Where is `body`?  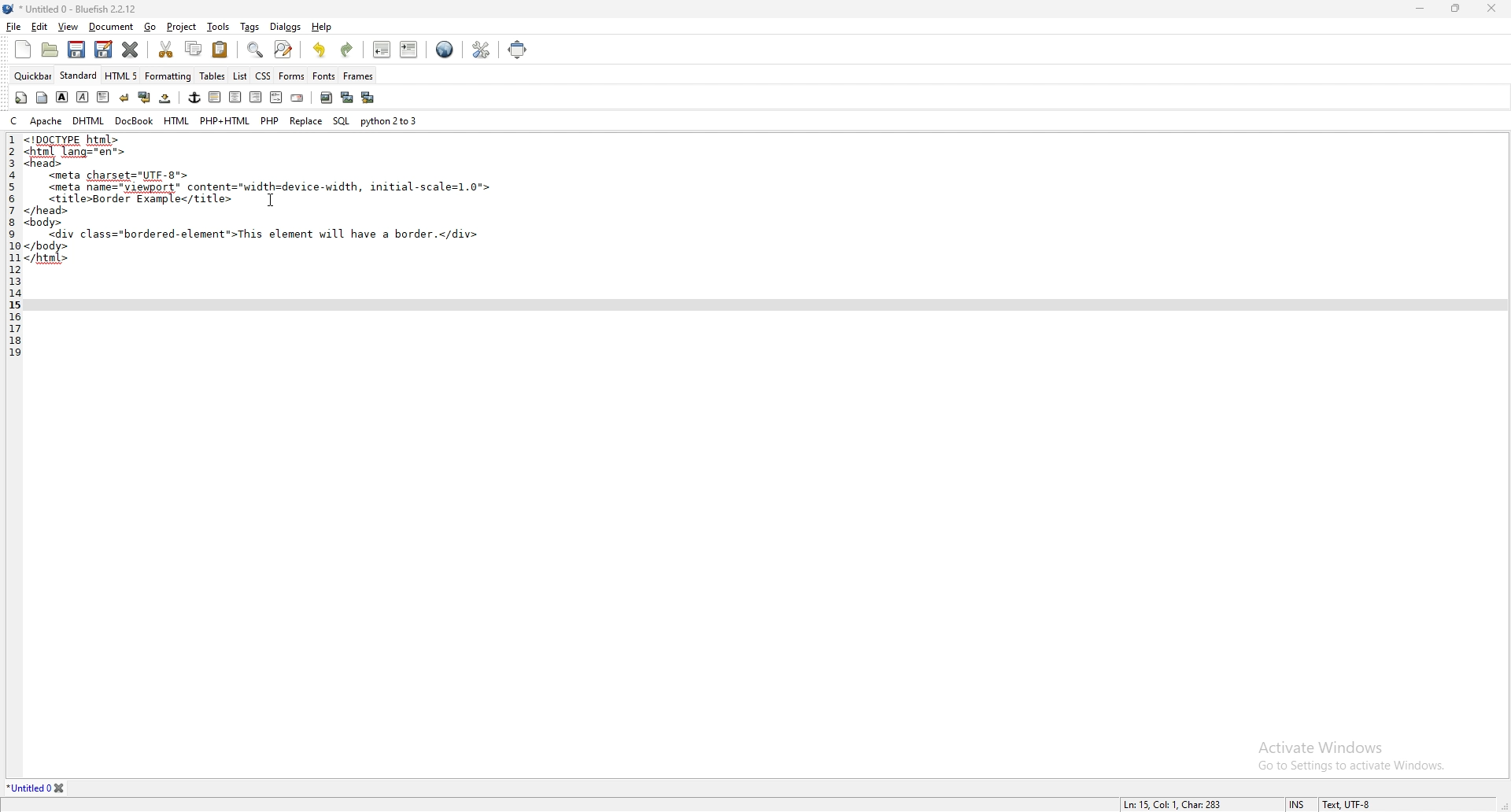
body is located at coordinates (42, 98).